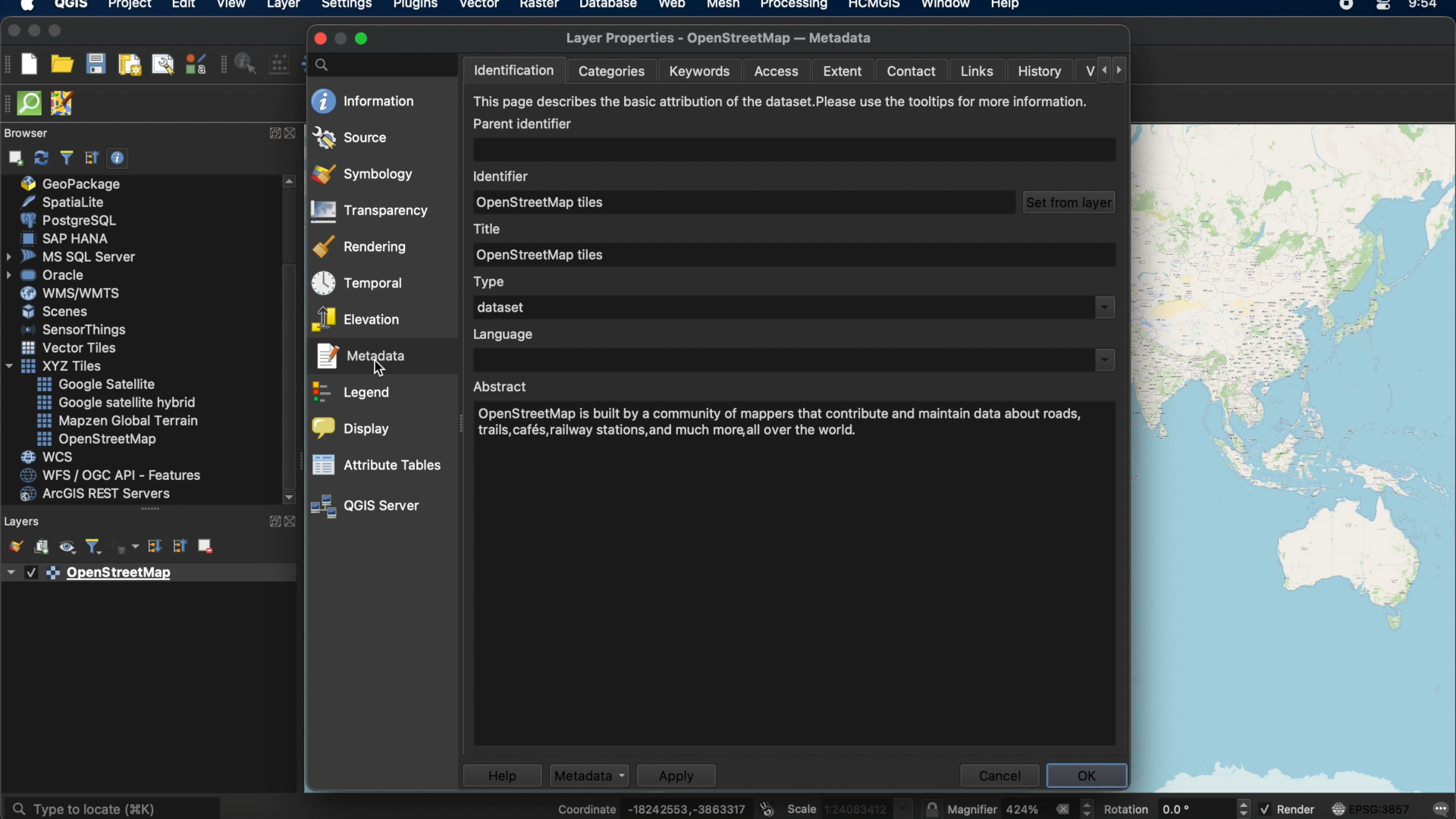  What do you see at coordinates (14, 545) in the screenshot?
I see `open the layer styling panel` at bounding box center [14, 545].